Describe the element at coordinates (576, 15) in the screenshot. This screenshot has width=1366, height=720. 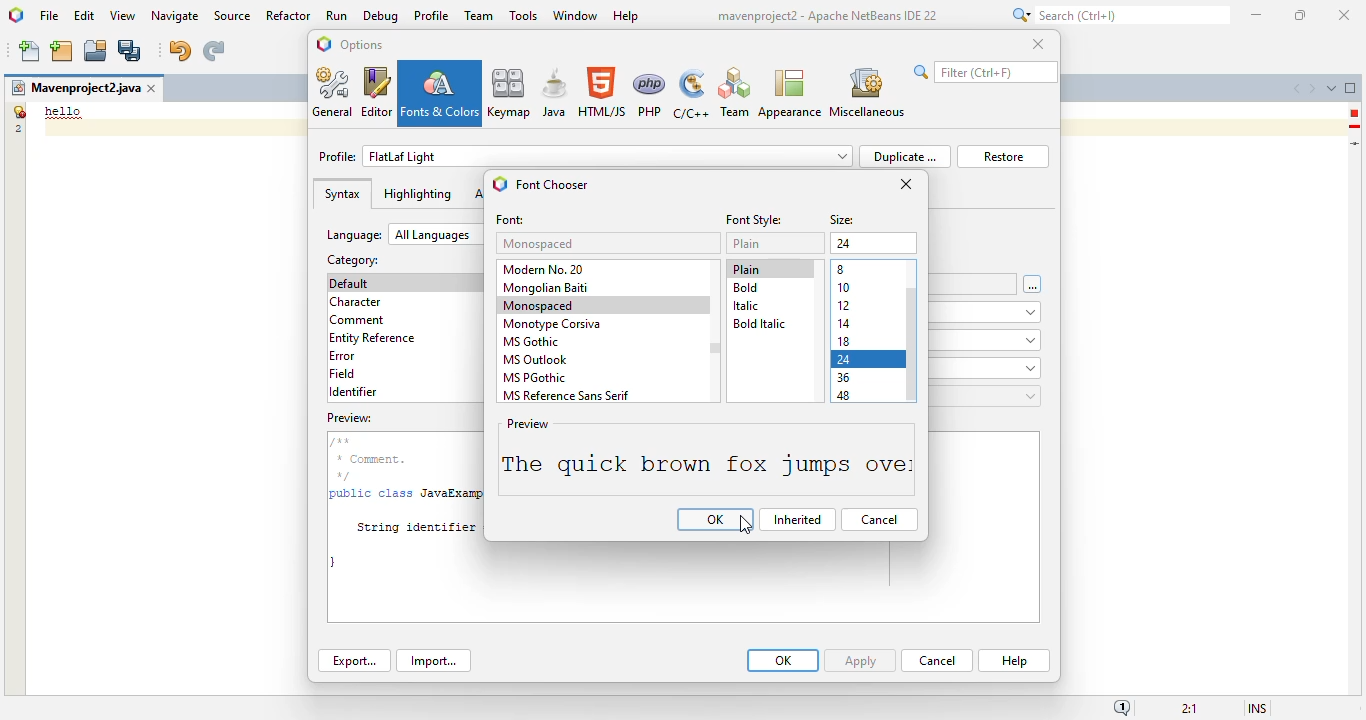
I see `window` at that location.